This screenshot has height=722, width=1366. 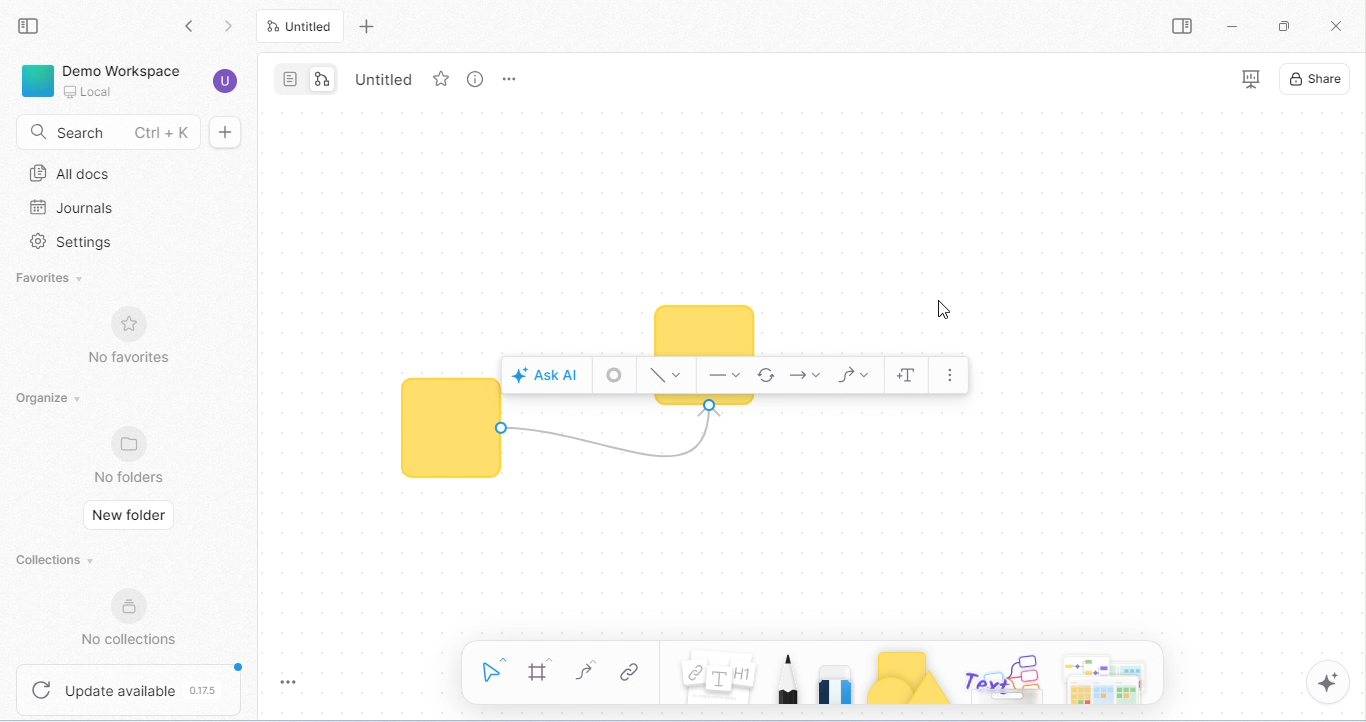 I want to click on eraser, so click(x=838, y=677).